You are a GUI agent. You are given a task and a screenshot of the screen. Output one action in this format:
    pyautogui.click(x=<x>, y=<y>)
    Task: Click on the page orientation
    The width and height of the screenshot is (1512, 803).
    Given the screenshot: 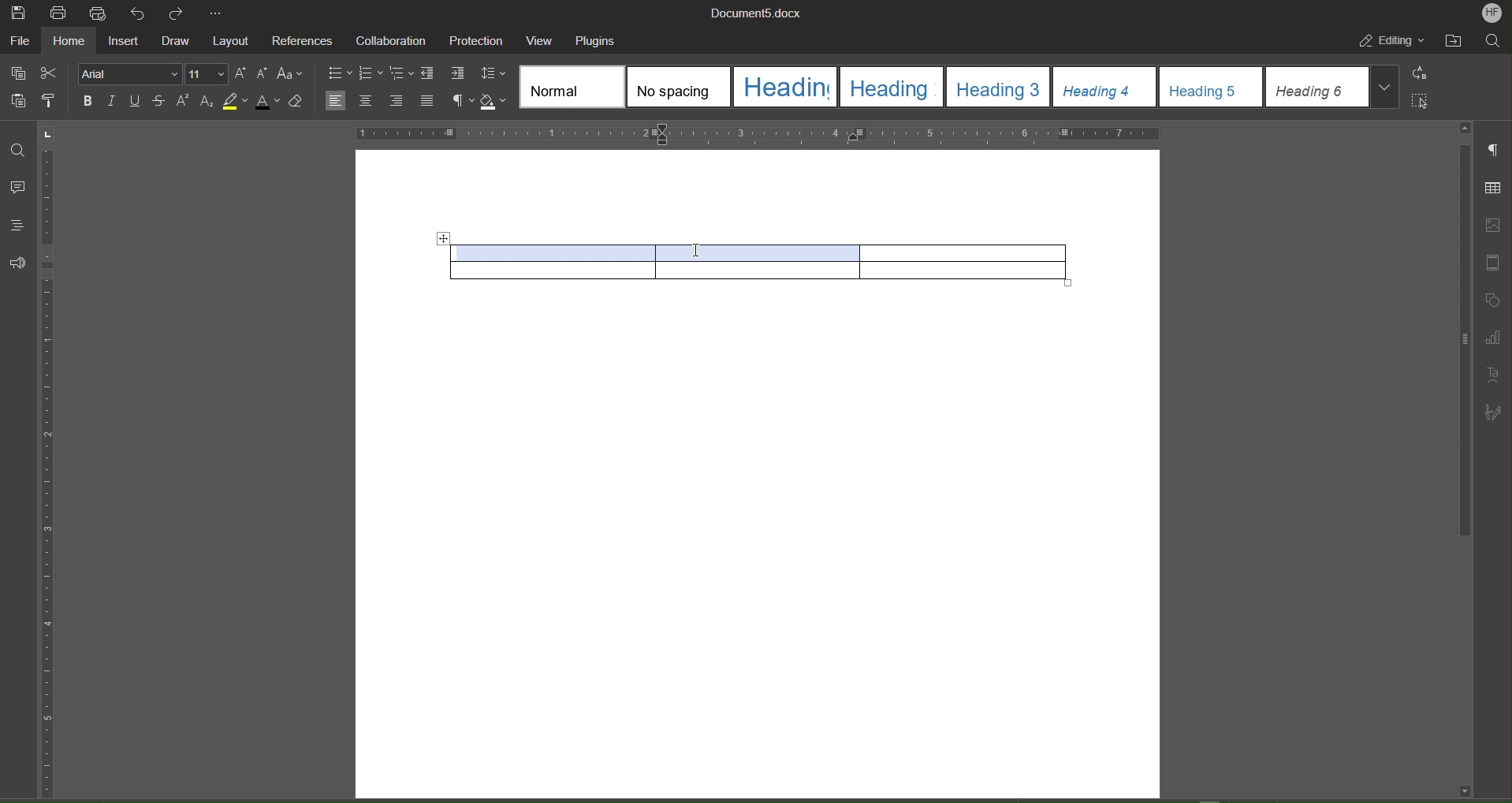 What is the action you would take?
    pyautogui.click(x=48, y=133)
    